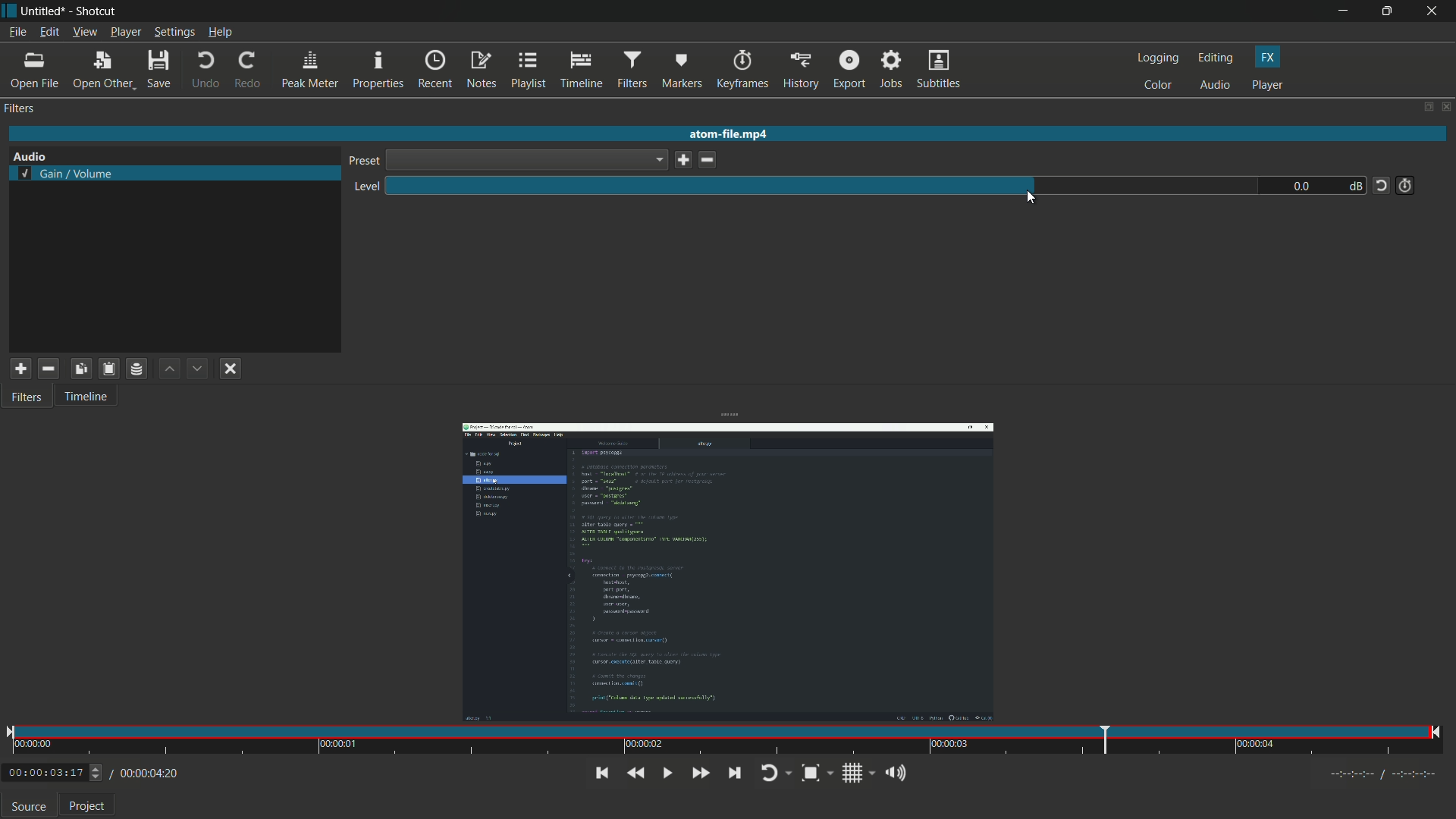 This screenshot has width=1456, height=819. I want to click on timeline, so click(580, 70).